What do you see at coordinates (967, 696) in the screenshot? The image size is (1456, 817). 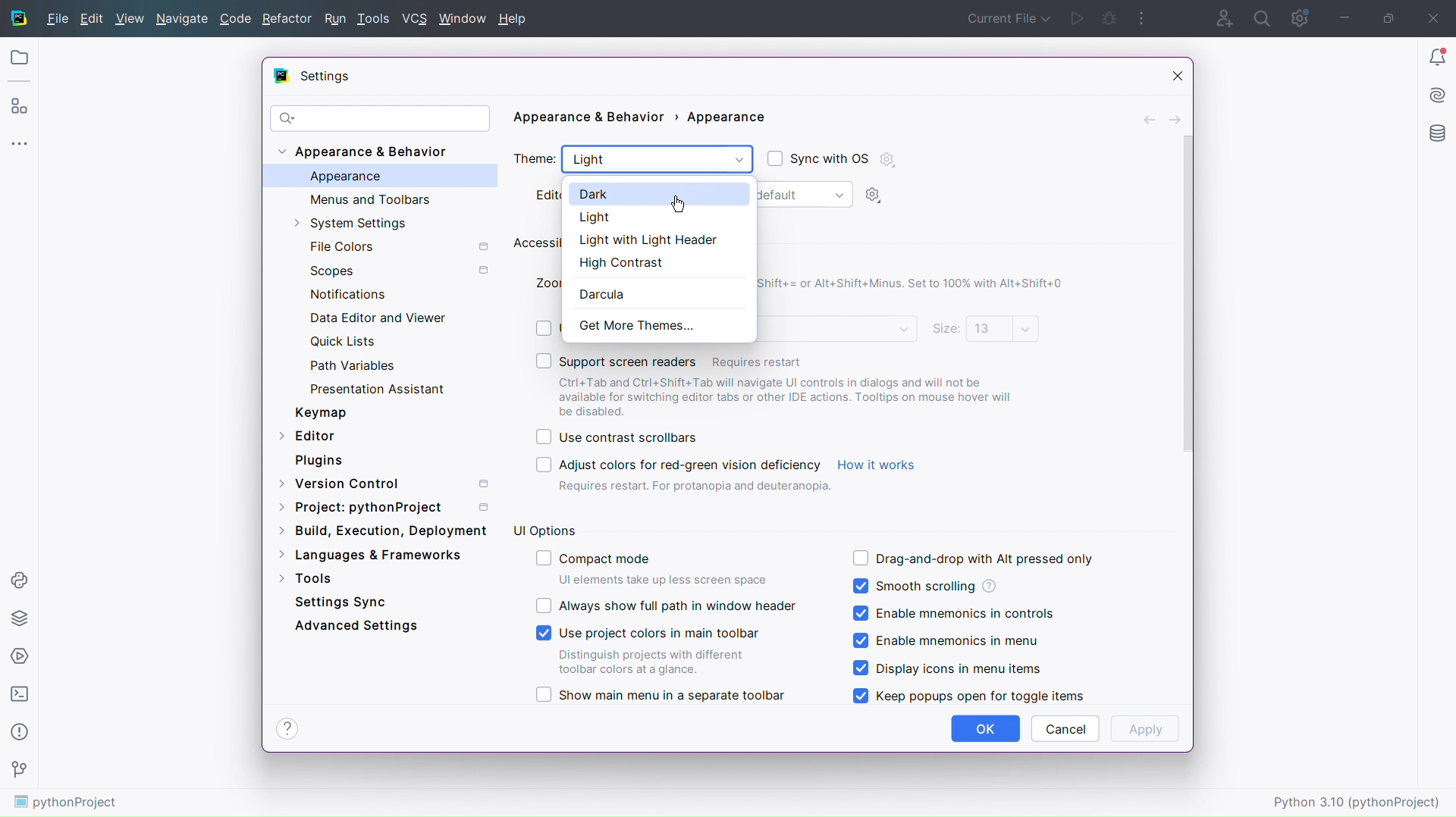 I see `Keep popups open for toggle items` at bounding box center [967, 696].